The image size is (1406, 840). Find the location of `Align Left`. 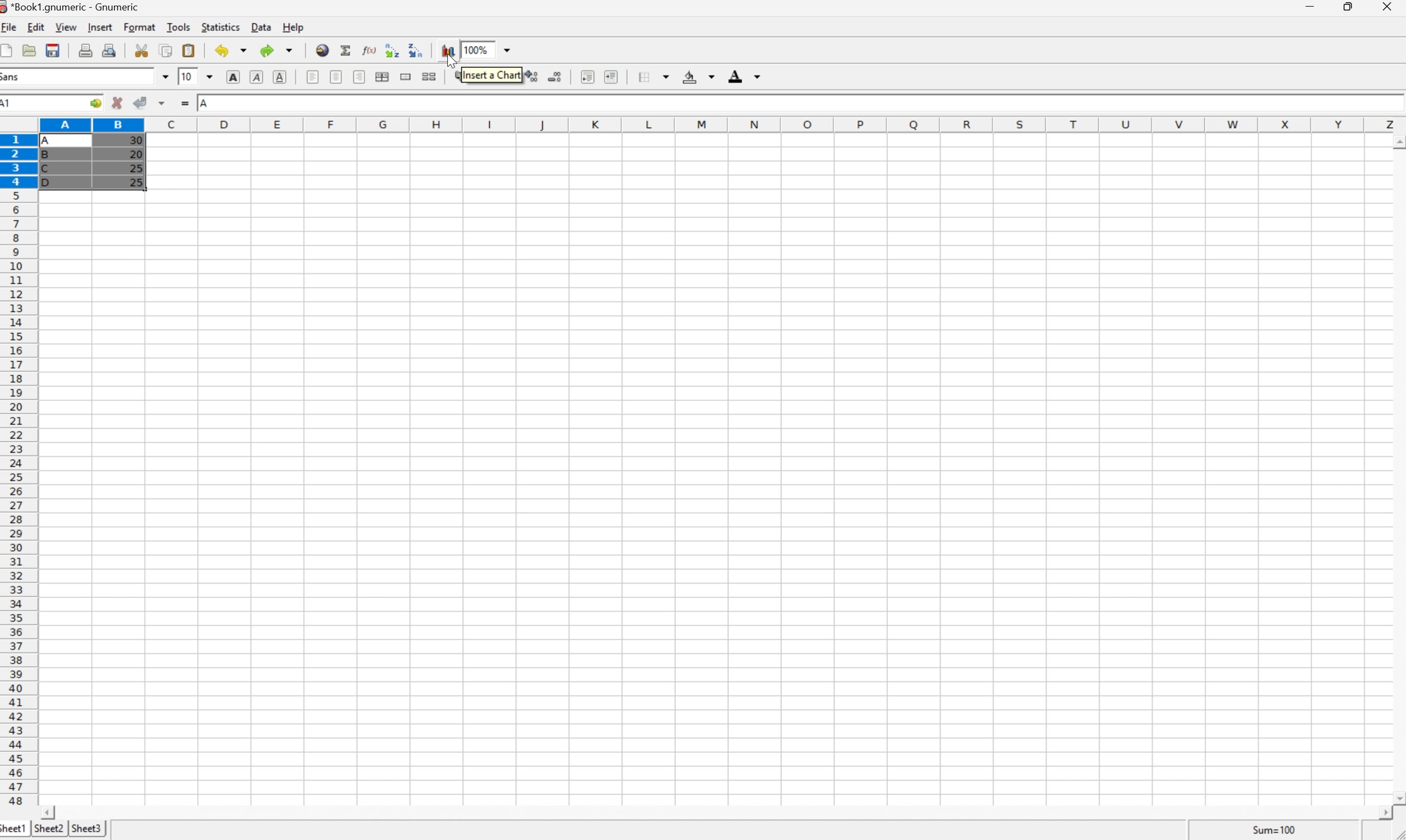

Align Left is located at coordinates (313, 78).